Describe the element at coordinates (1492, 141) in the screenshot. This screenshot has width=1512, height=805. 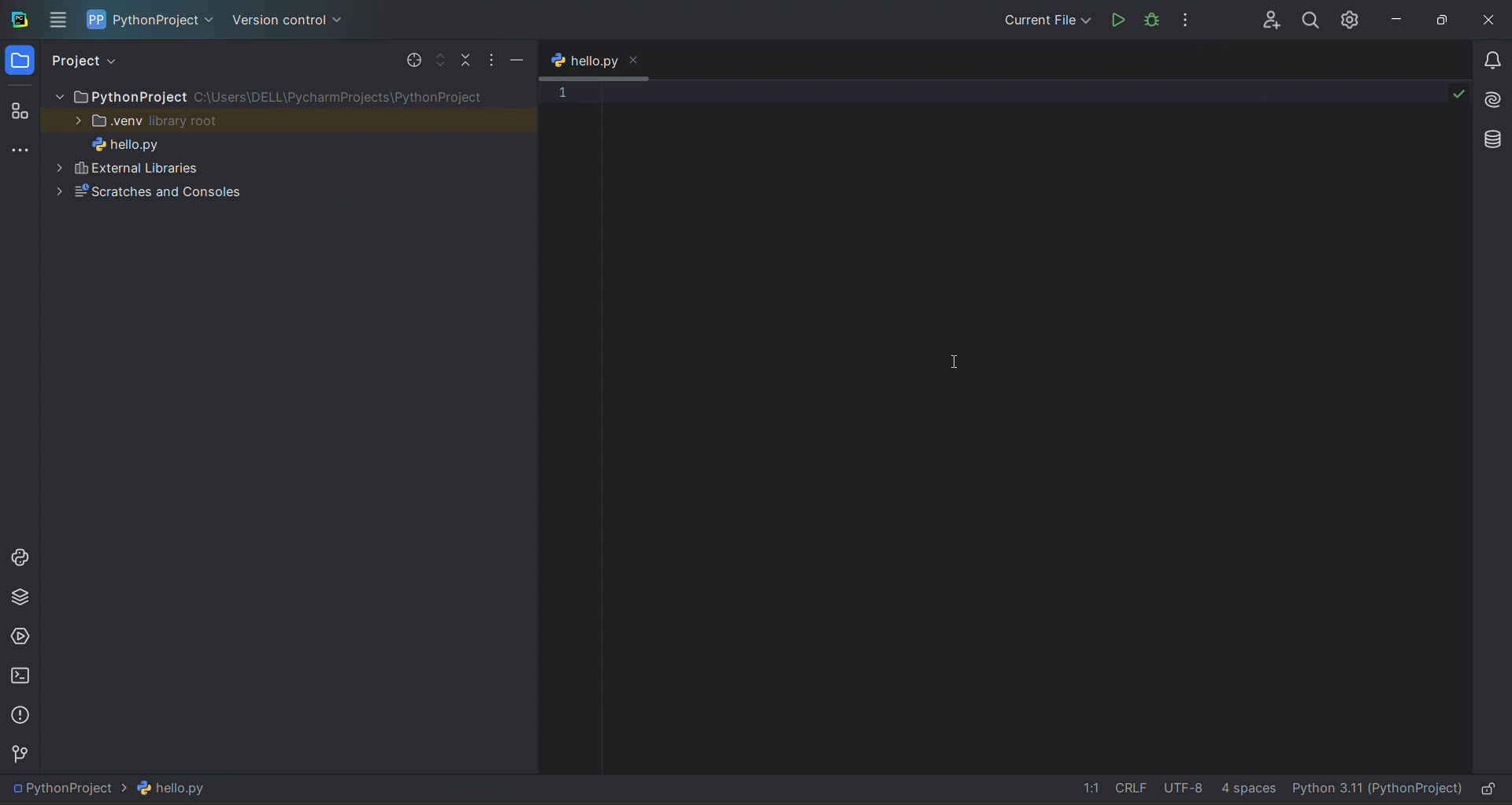
I see `database` at that location.